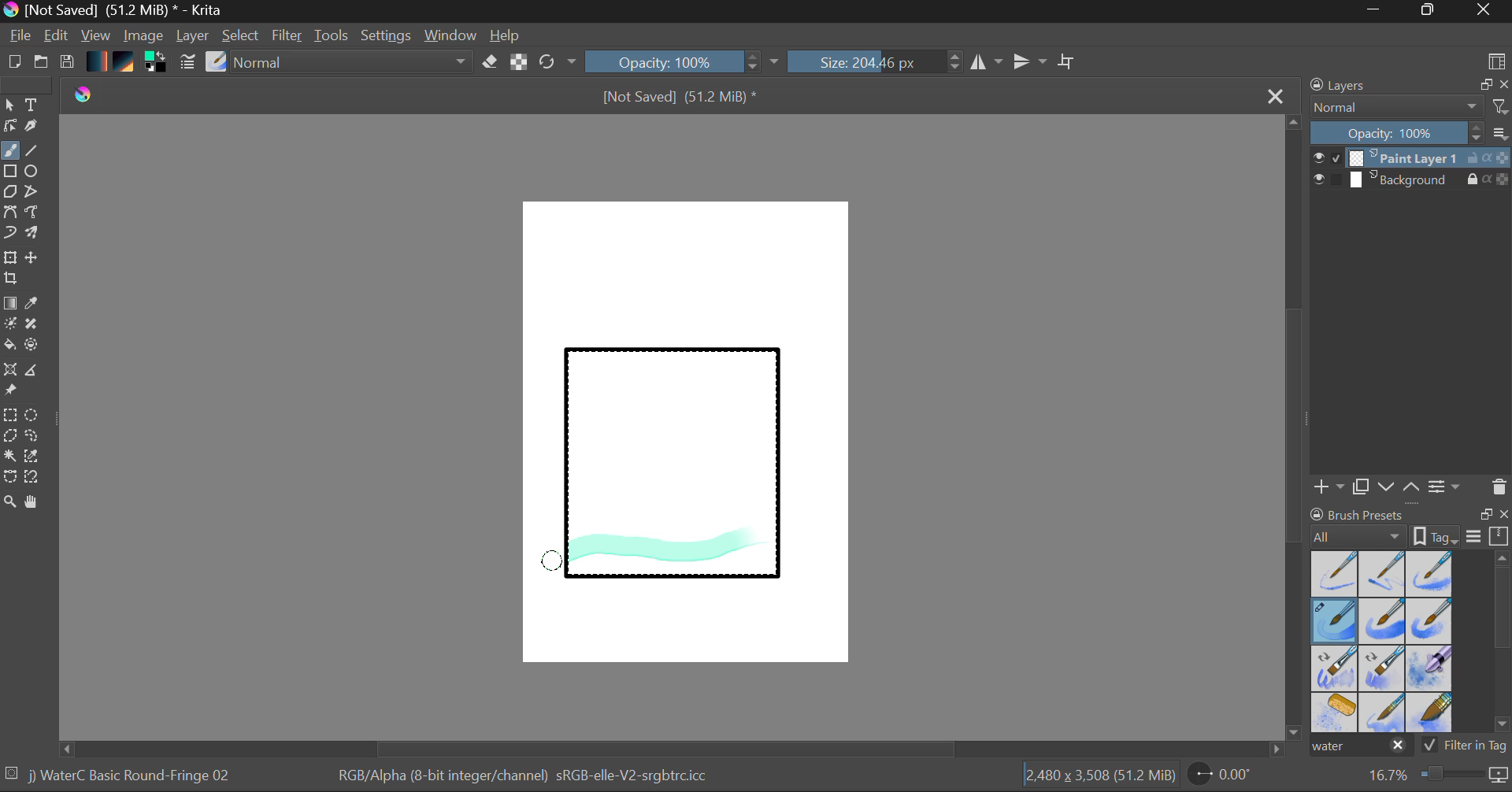 This screenshot has height=792, width=1512. I want to click on Measurements, so click(34, 372).